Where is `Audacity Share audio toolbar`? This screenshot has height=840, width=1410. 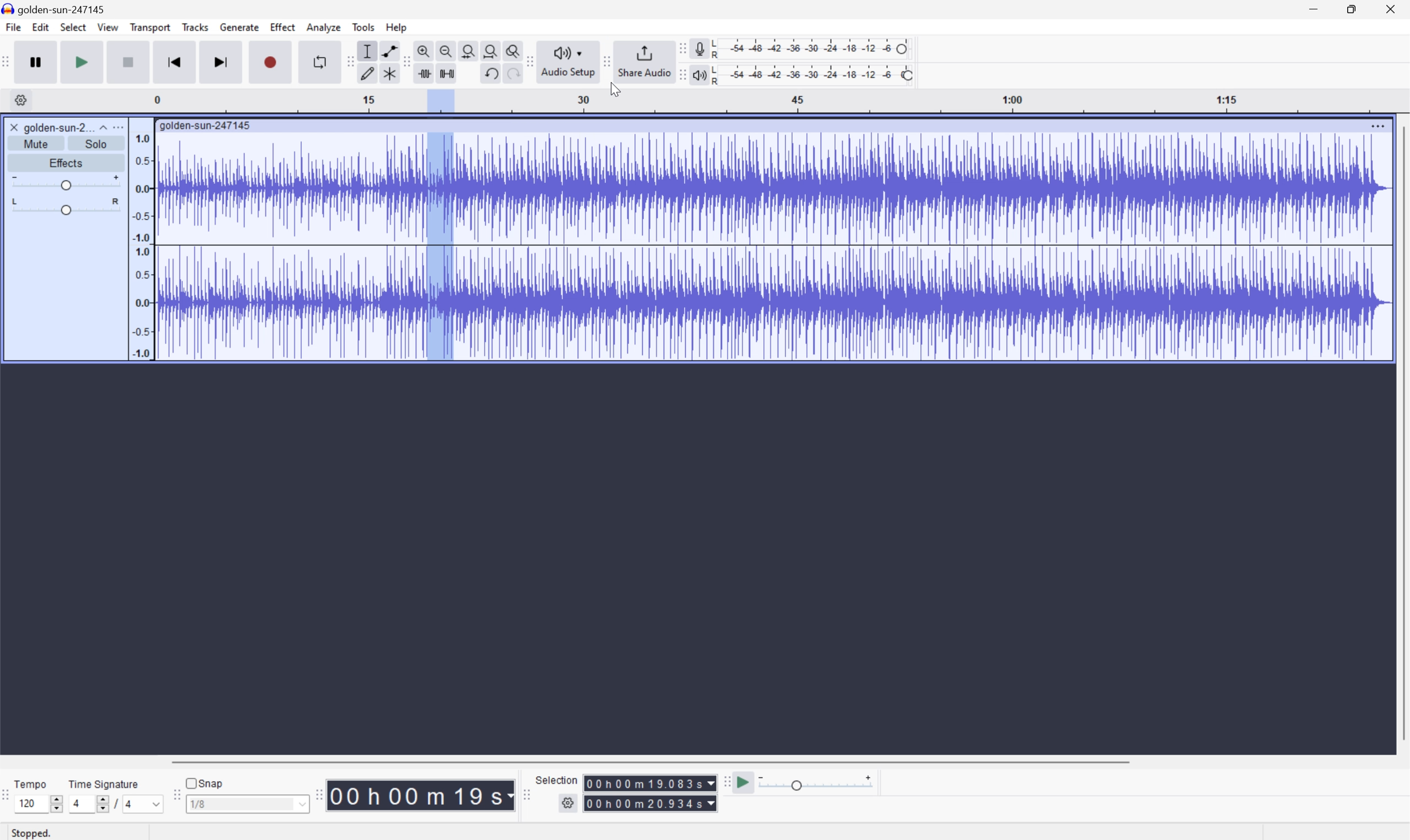
Audacity Share audio toolbar is located at coordinates (607, 60).